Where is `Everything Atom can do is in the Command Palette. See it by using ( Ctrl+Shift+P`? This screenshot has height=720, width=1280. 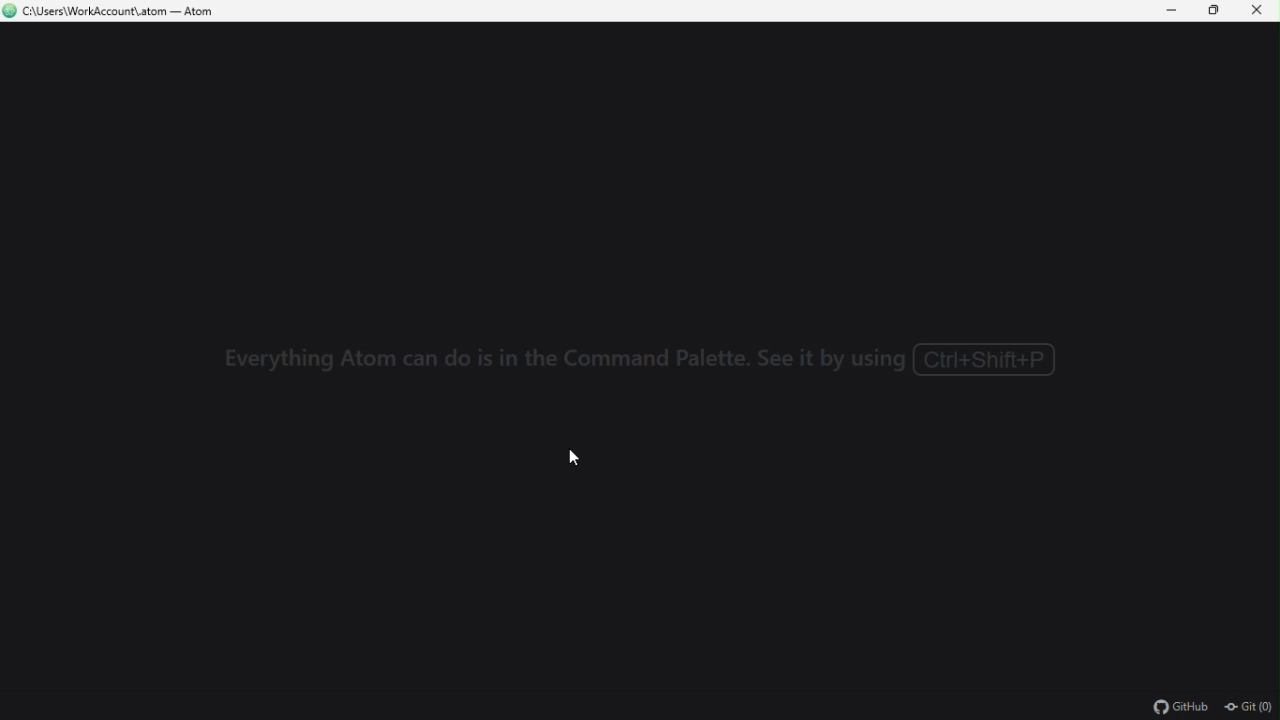 Everything Atom can do is in the Command Palette. See it by using ( Ctrl+Shift+P is located at coordinates (638, 360).